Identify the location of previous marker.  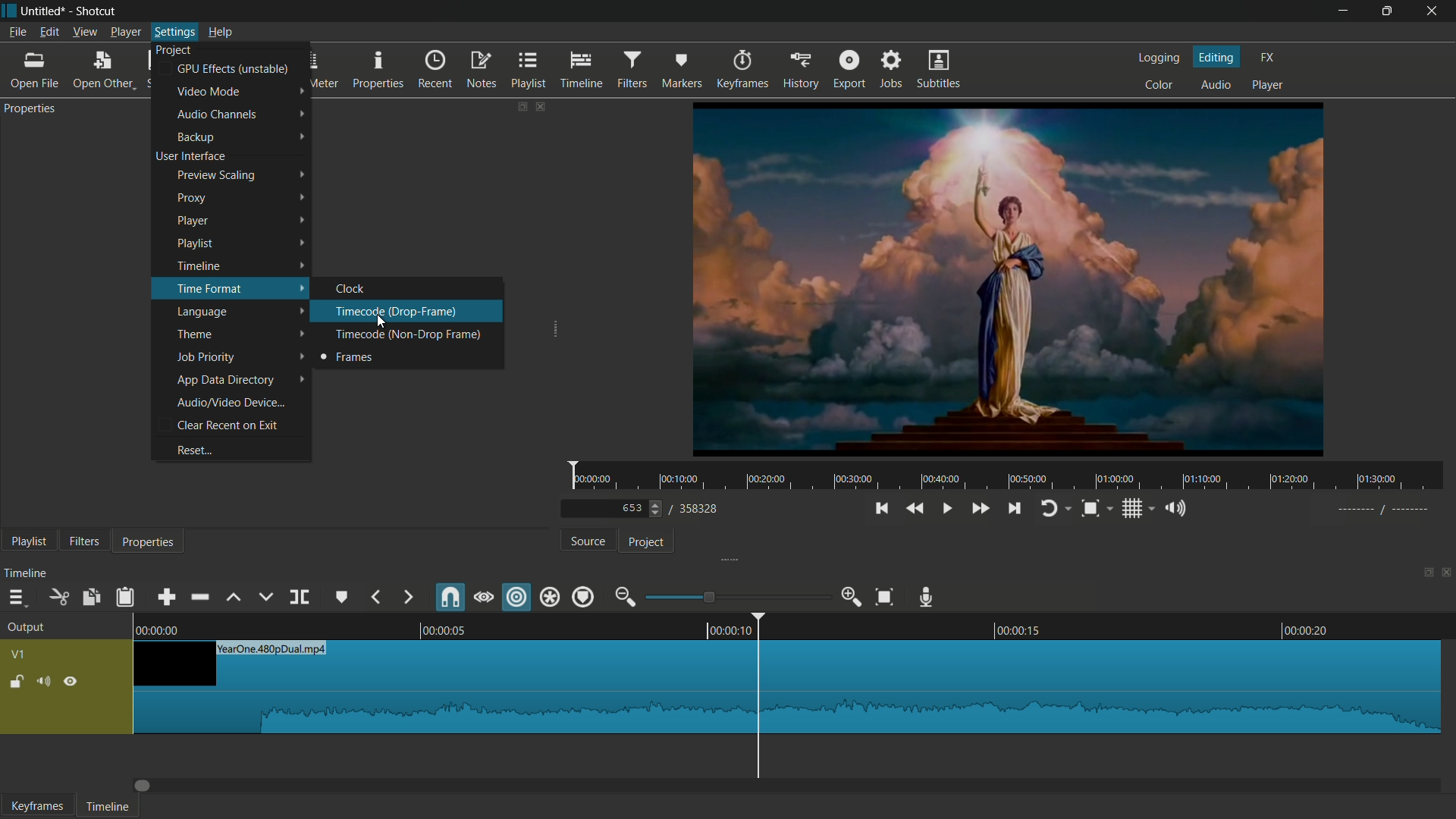
(376, 598).